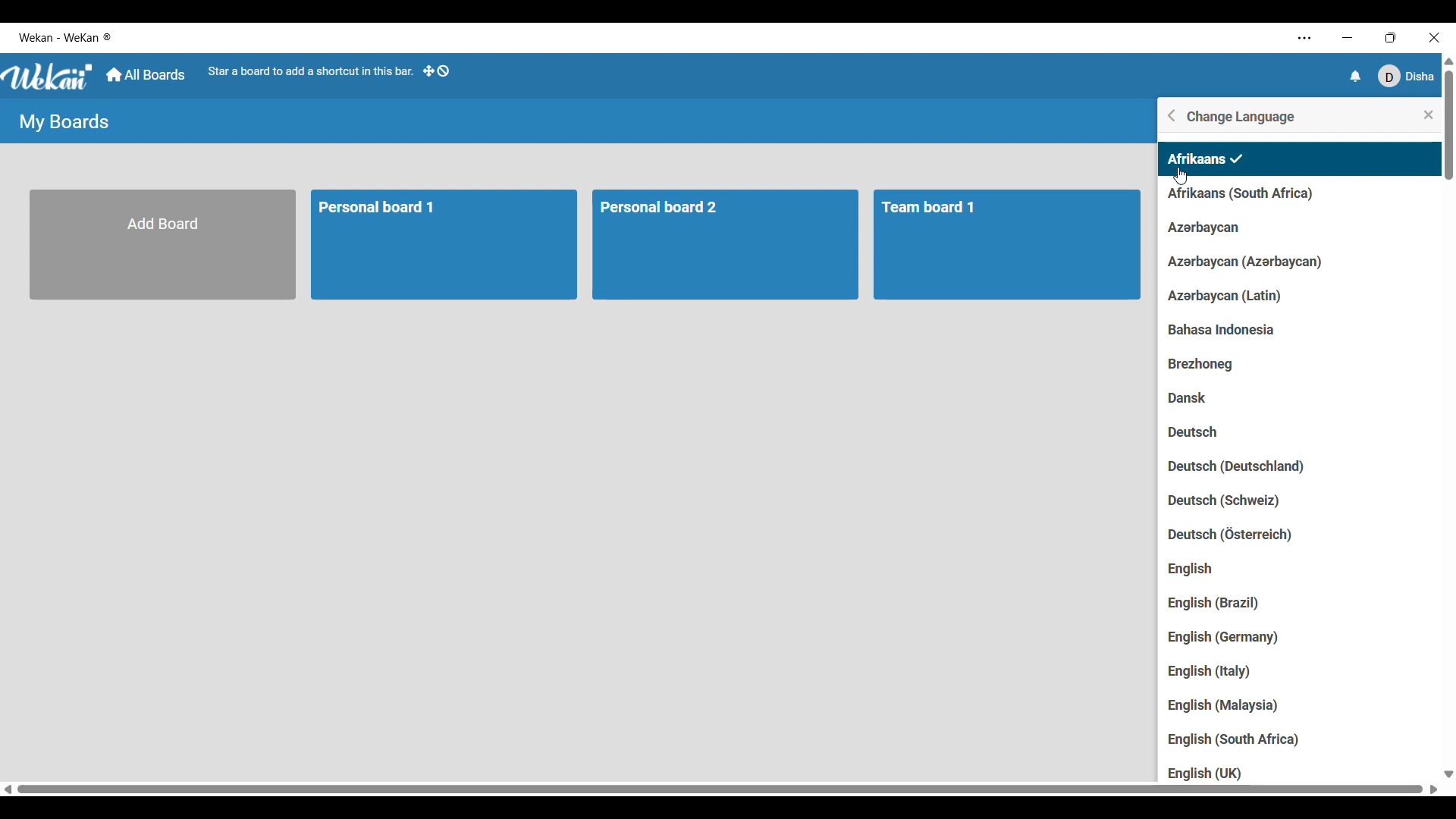 This screenshot has width=1456, height=819. Describe the element at coordinates (1225, 639) in the screenshot. I see `English (Germany)` at that location.